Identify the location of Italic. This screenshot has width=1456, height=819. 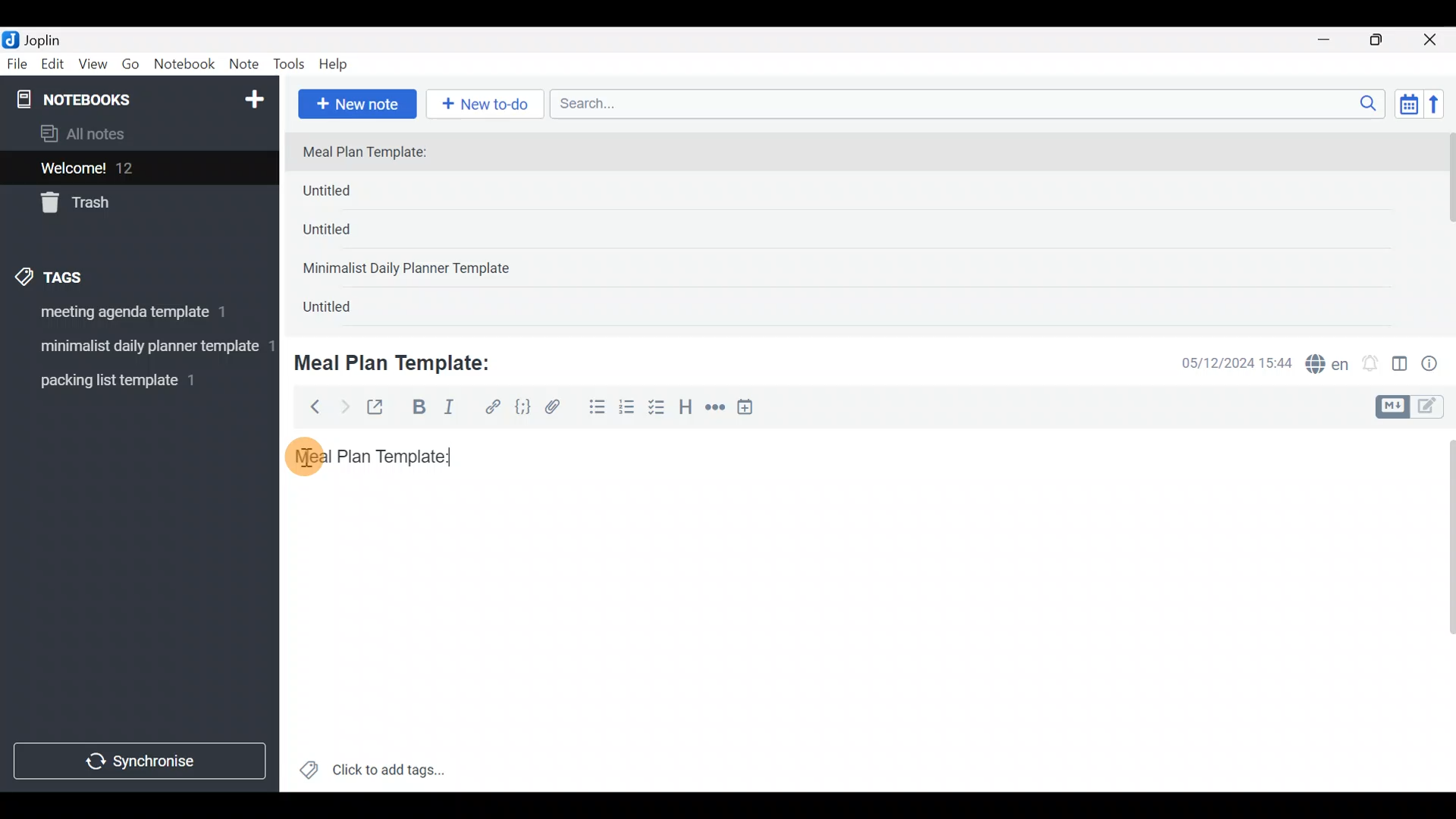
(447, 410).